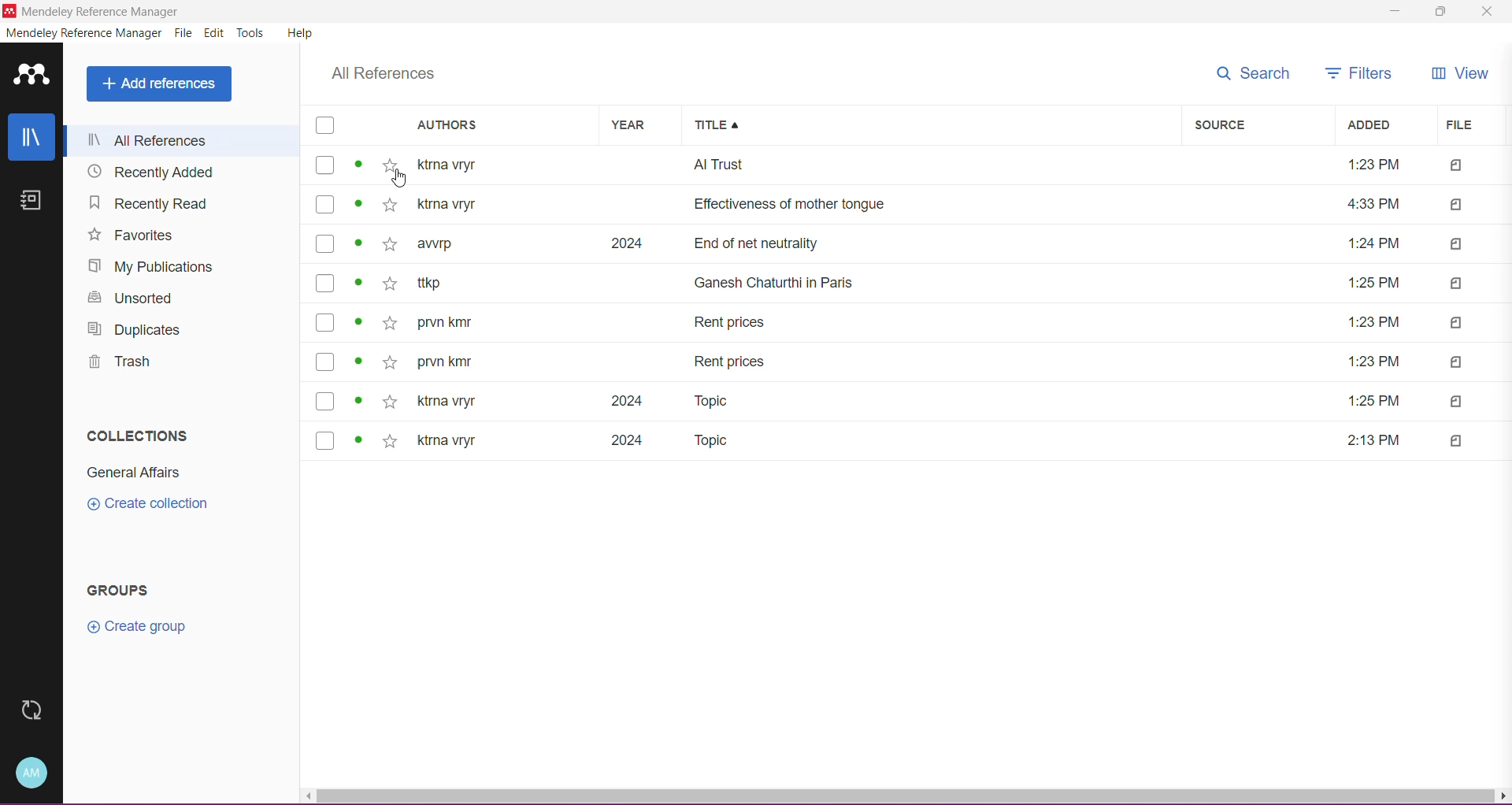  Describe the element at coordinates (181, 139) in the screenshot. I see `All References` at that location.